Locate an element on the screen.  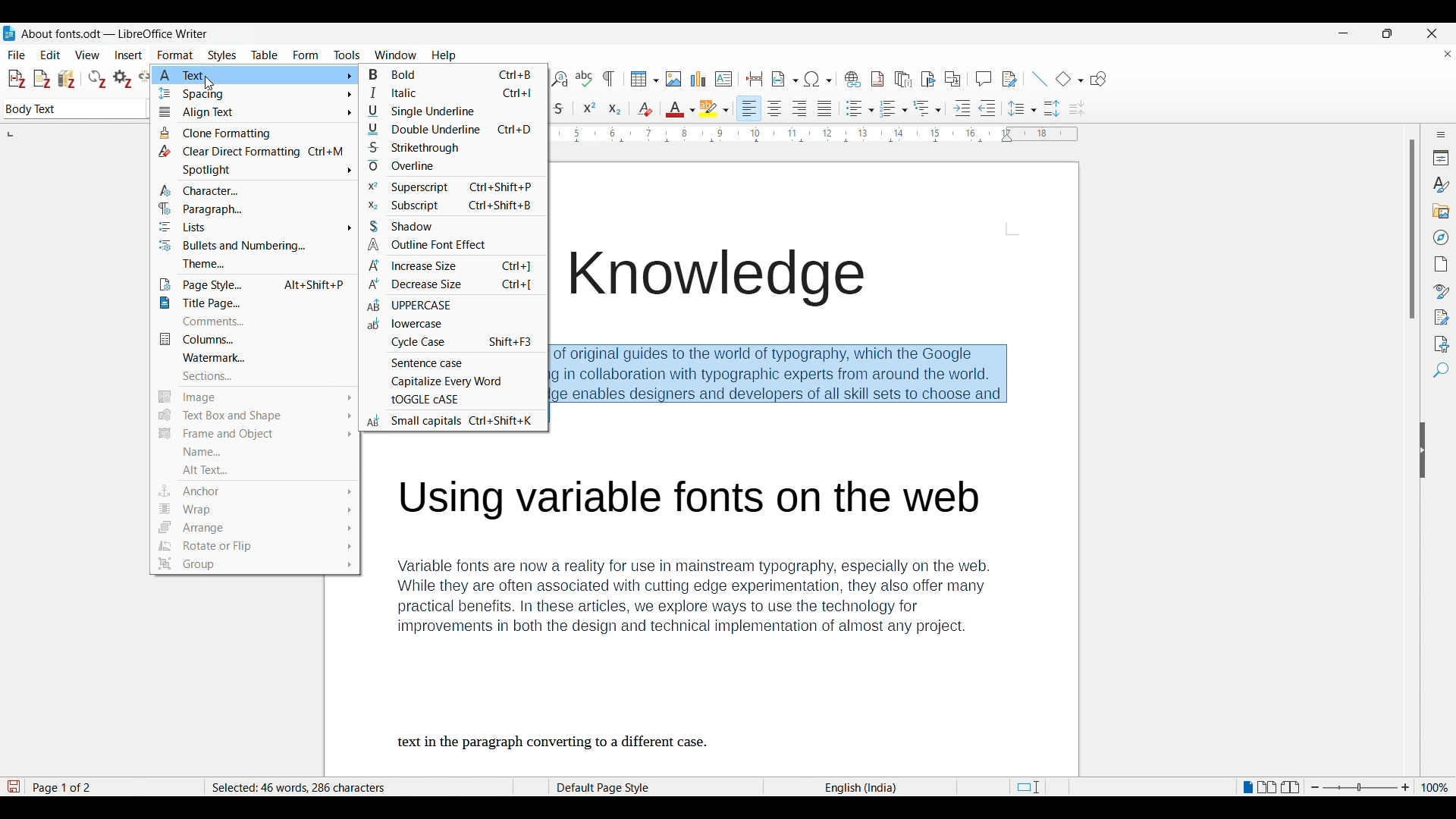
Show track changes functions is located at coordinates (1009, 79).